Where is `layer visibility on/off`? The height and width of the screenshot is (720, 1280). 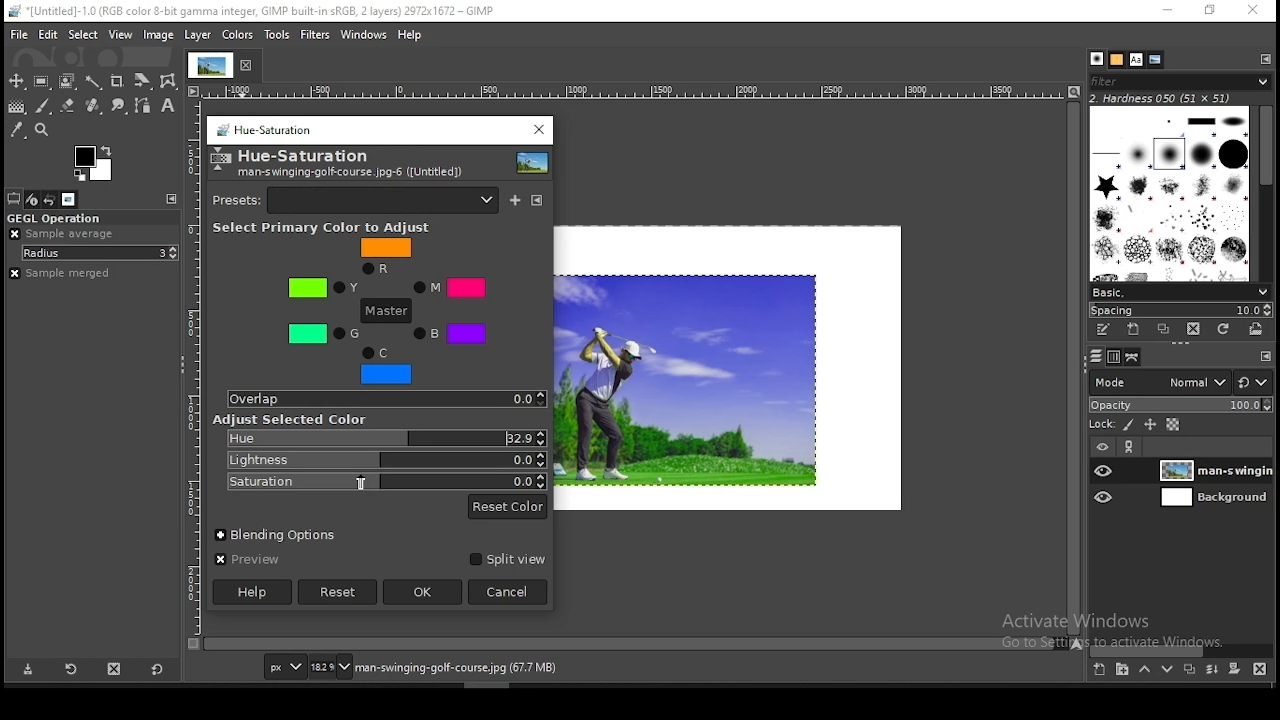 layer visibility on/off is located at coordinates (1101, 497).